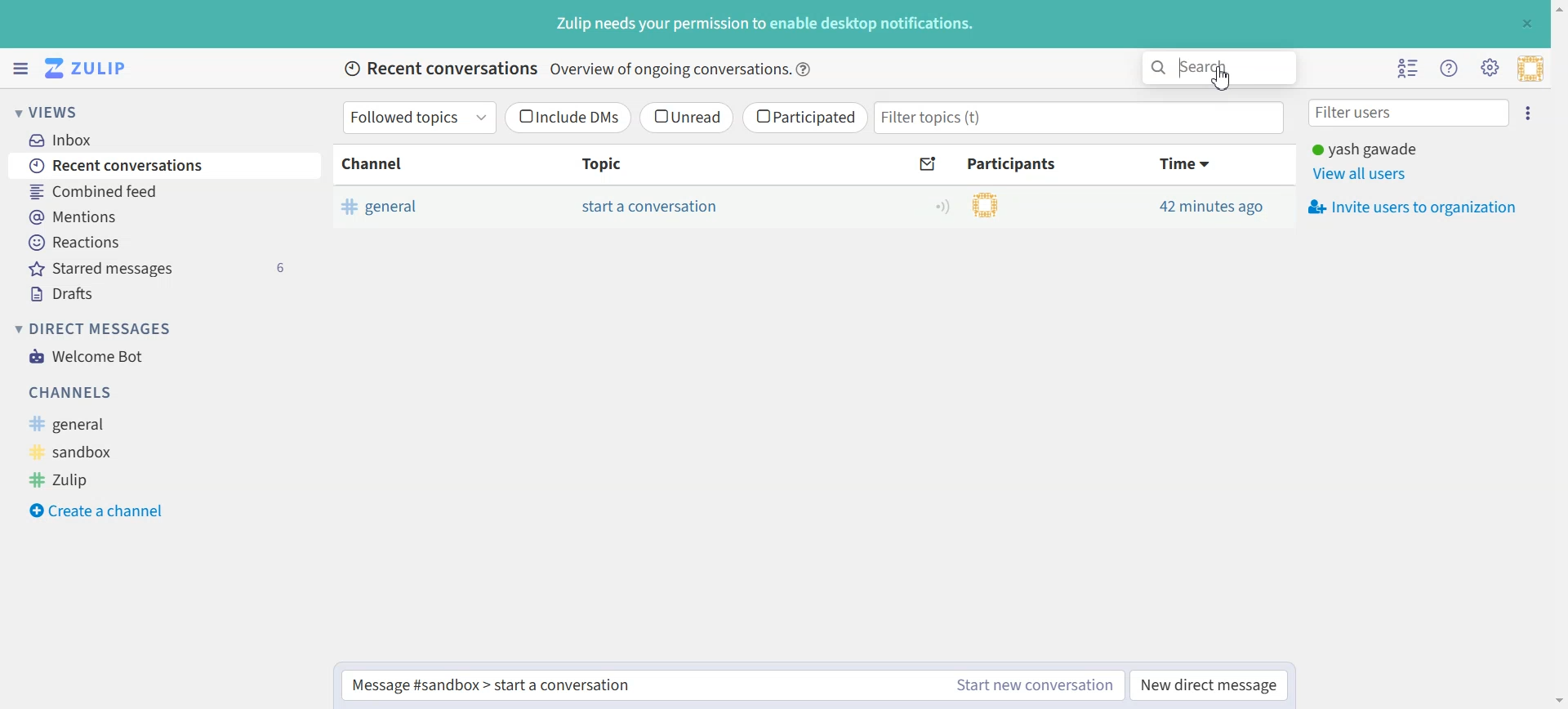 The width and height of the screenshot is (1568, 709). Describe the element at coordinates (1365, 173) in the screenshot. I see `View all users` at that location.